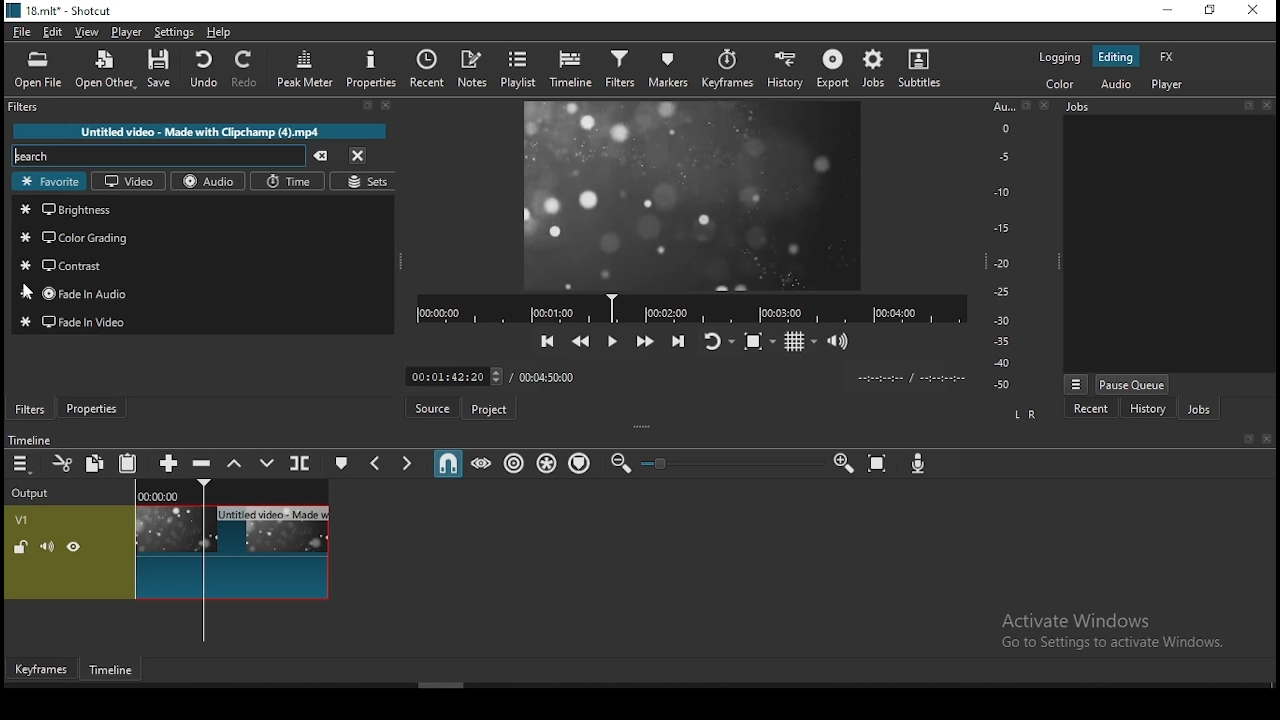 The height and width of the screenshot is (720, 1280). I want to click on brightness, so click(205, 210).